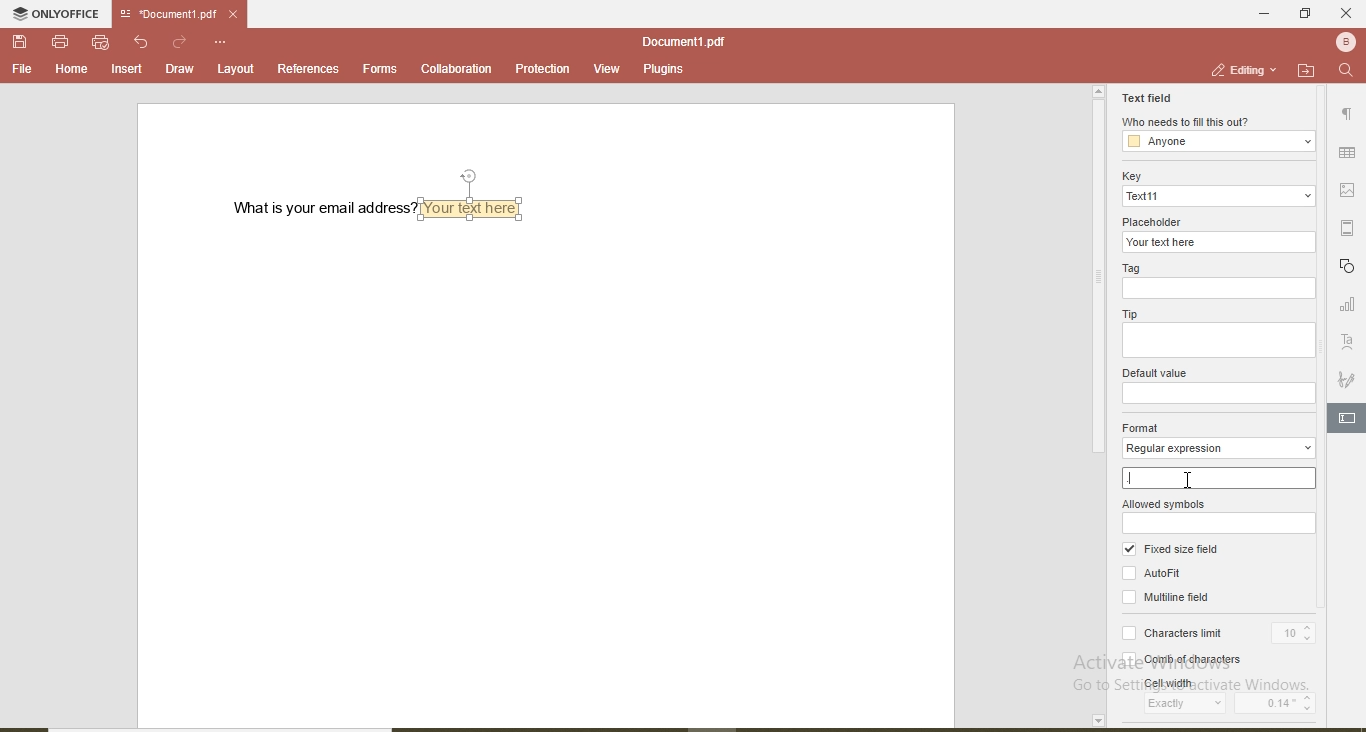 Image resolution: width=1366 pixels, height=732 pixels. What do you see at coordinates (1175, 656) in the screenshot?
I see `comb of characters` at bounding box center [1175, 656].